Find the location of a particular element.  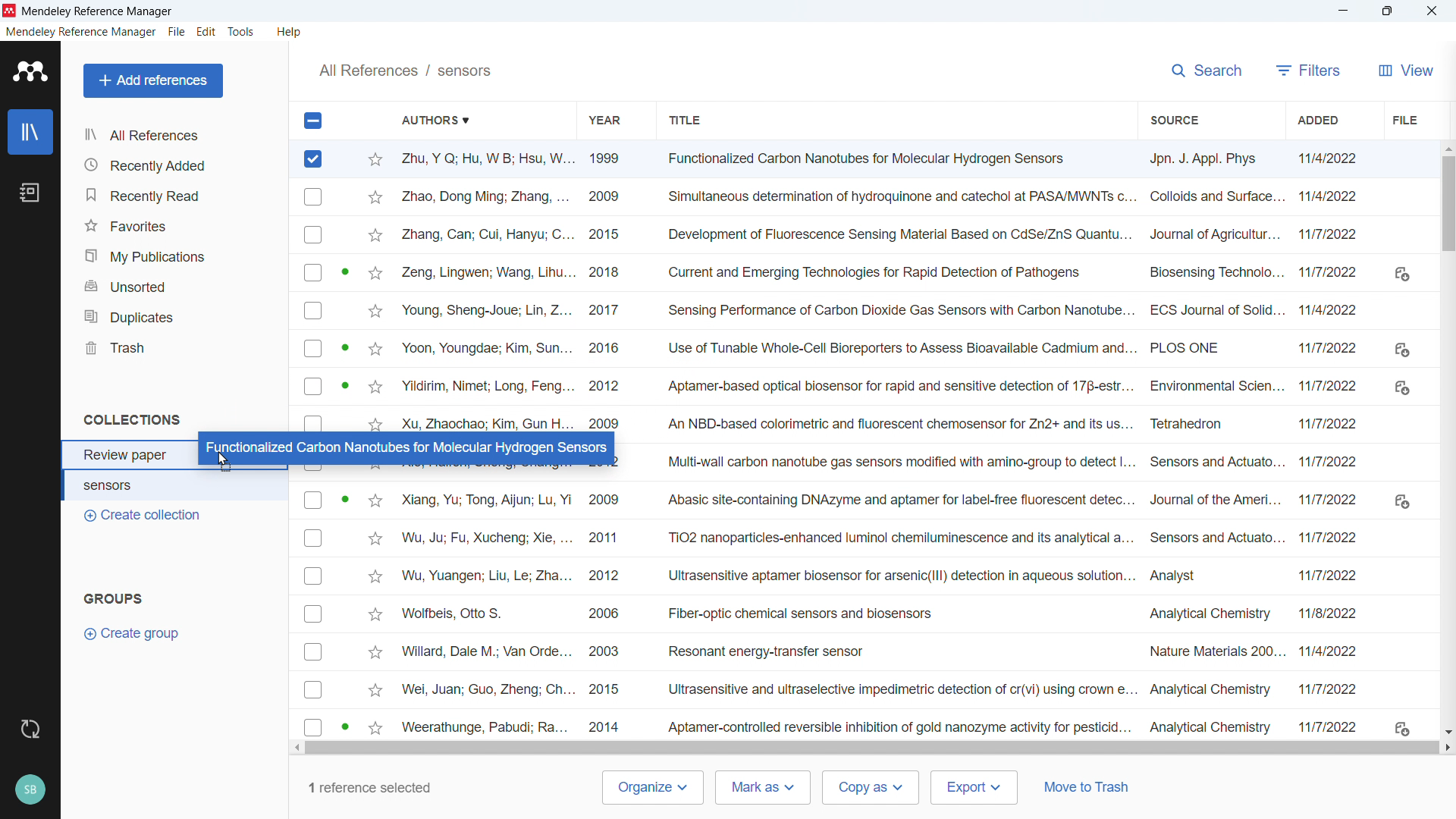

Collection 2  is located at coordinates (177, 485).